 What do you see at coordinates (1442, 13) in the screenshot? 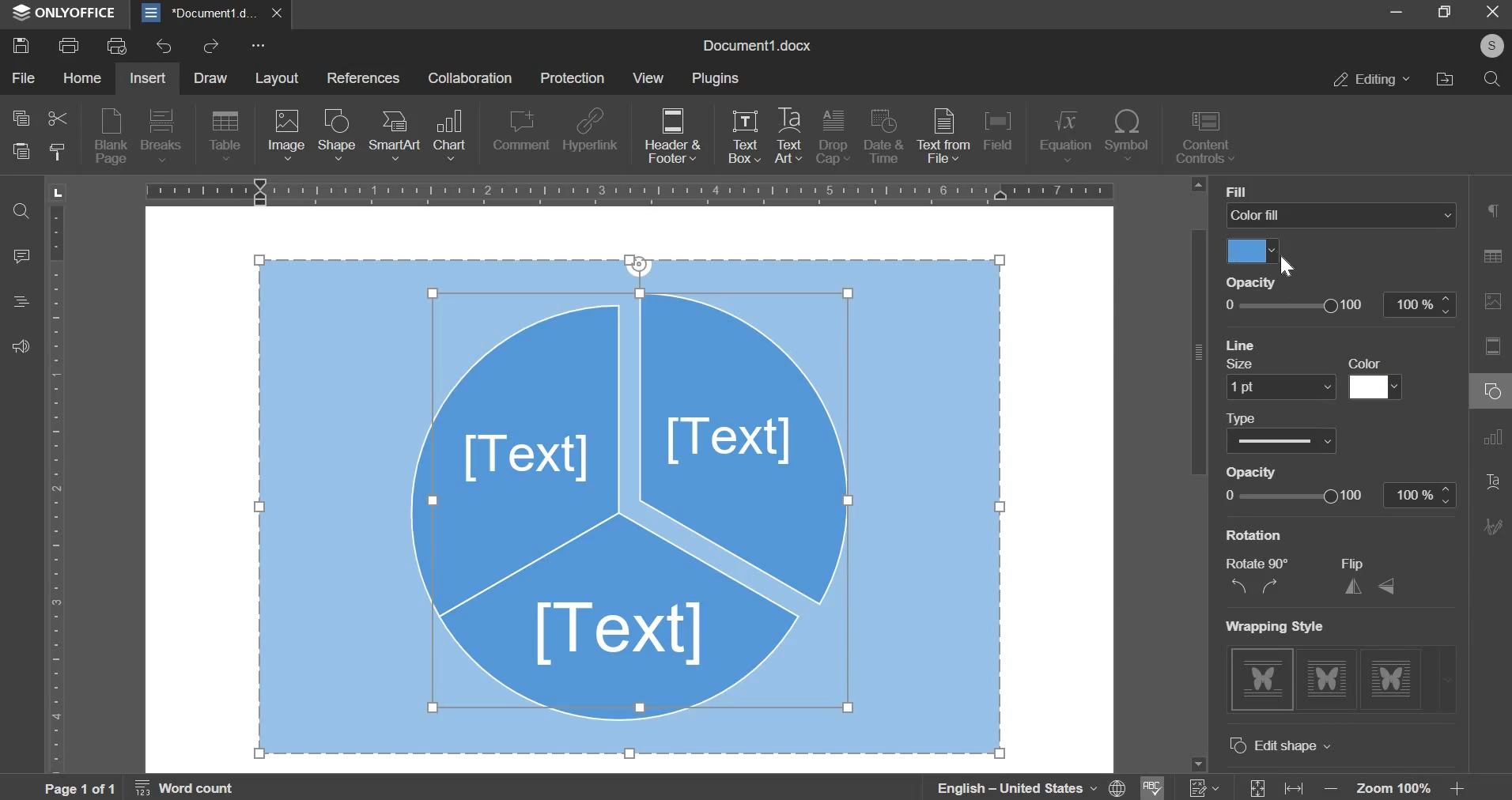
I see `Restore` at bounding box center [1442, 13].